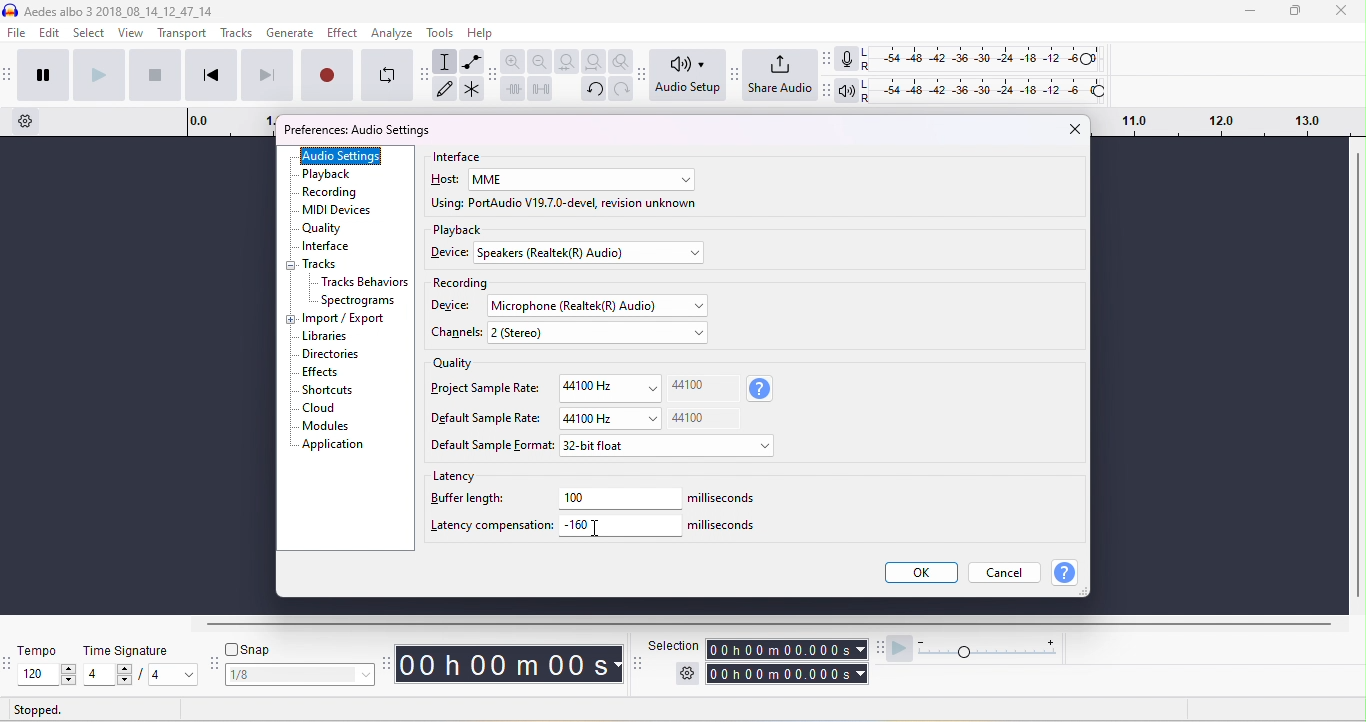 Image resolution: width=1366 pixels, height=722 pixels. Describe the element at coordinates (540, 61) in the screenshot. I see `zoom out` at that location.